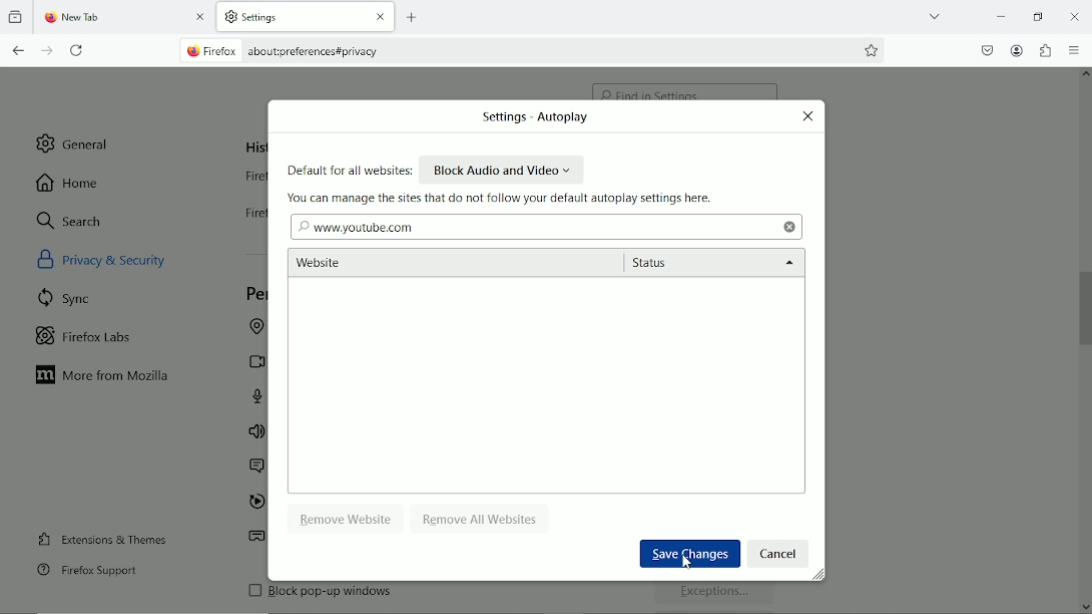  I want to click on remove website, so click(347, 518).